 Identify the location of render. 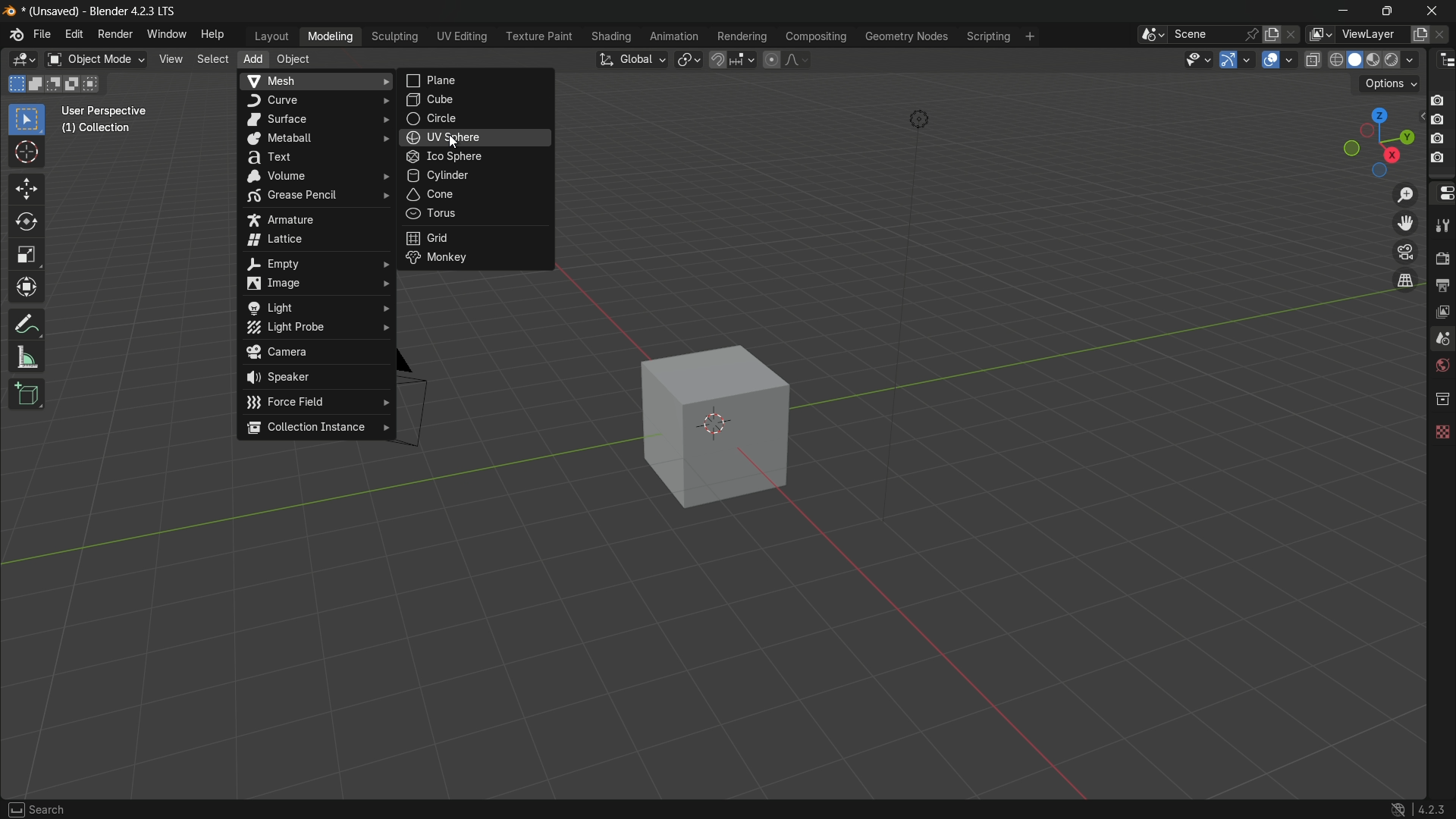
(1441, 256).